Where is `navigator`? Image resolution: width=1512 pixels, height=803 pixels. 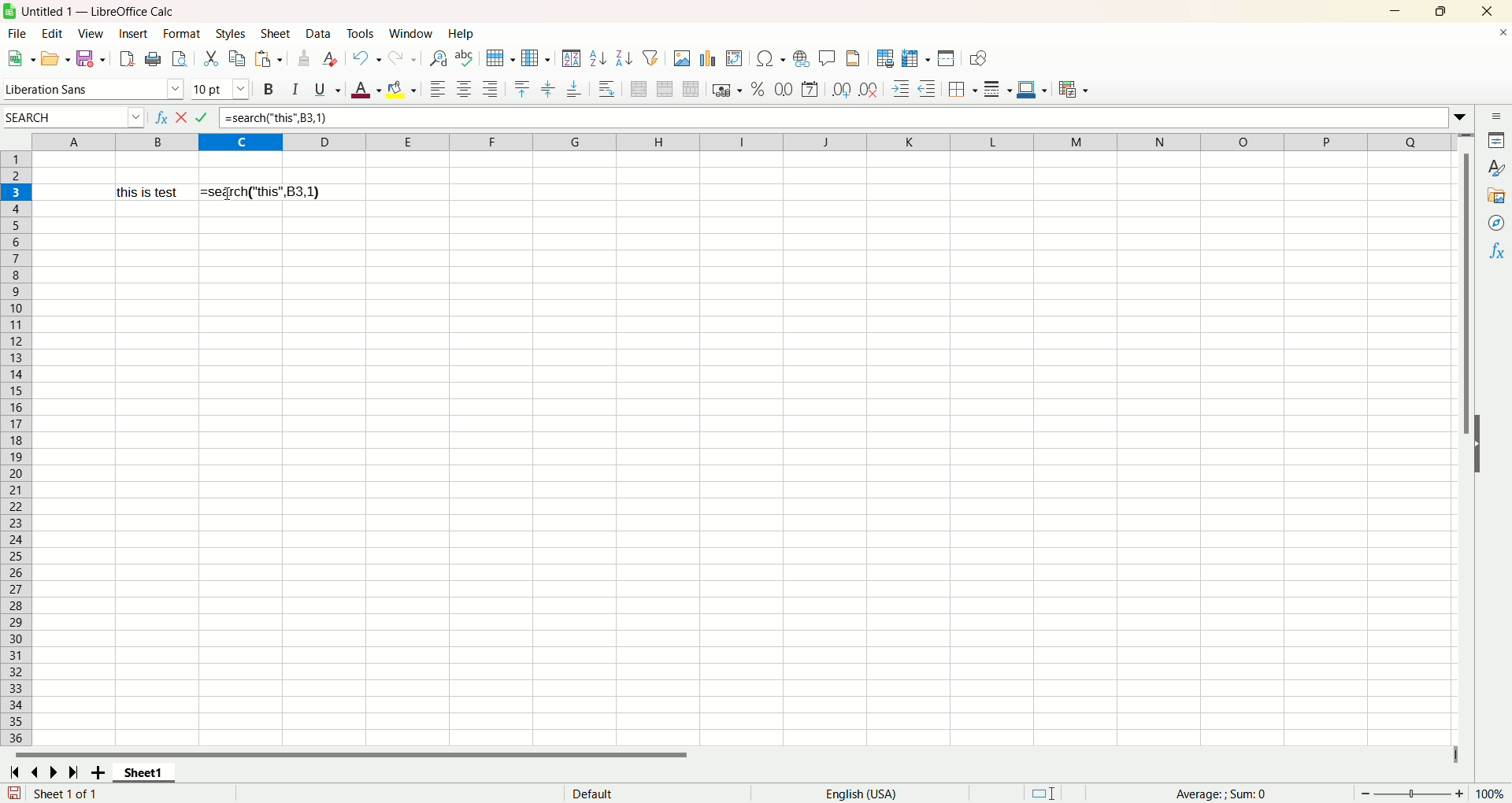
navigator is located at coordinates (1497, 222).